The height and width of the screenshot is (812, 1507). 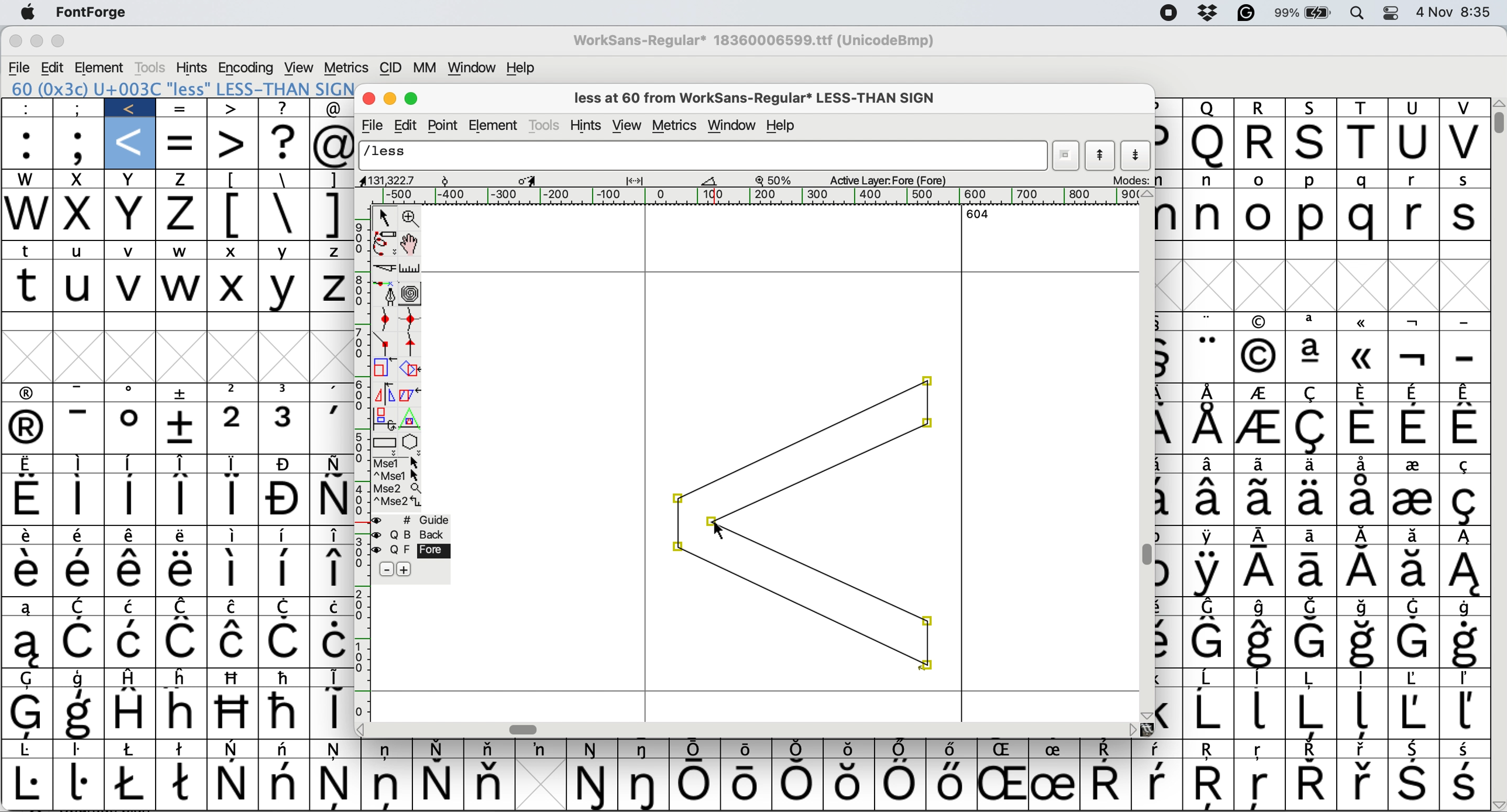 What do you see at coordinates (232, 750) in the screenshot?
I see `Symbol` at bounding box center [232, 750].